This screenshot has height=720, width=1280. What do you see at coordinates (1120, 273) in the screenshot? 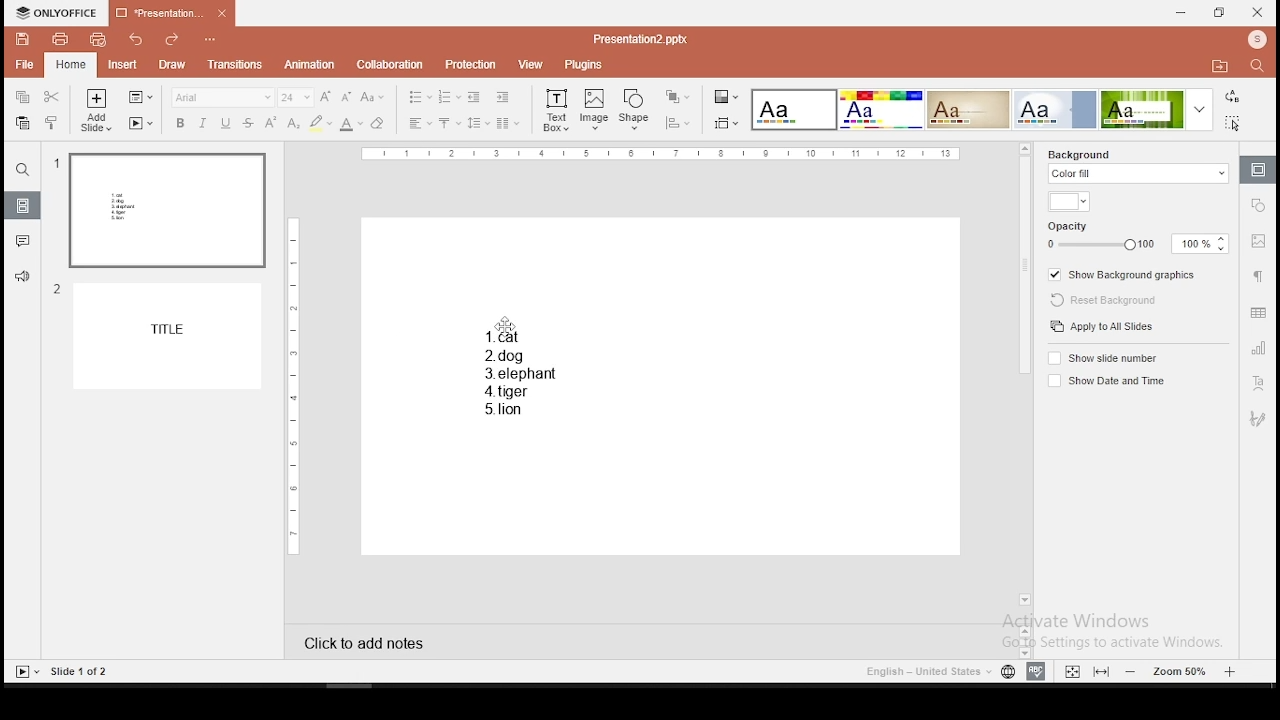
I see `show background graphics on/off` at bounding box center [1120, 273].